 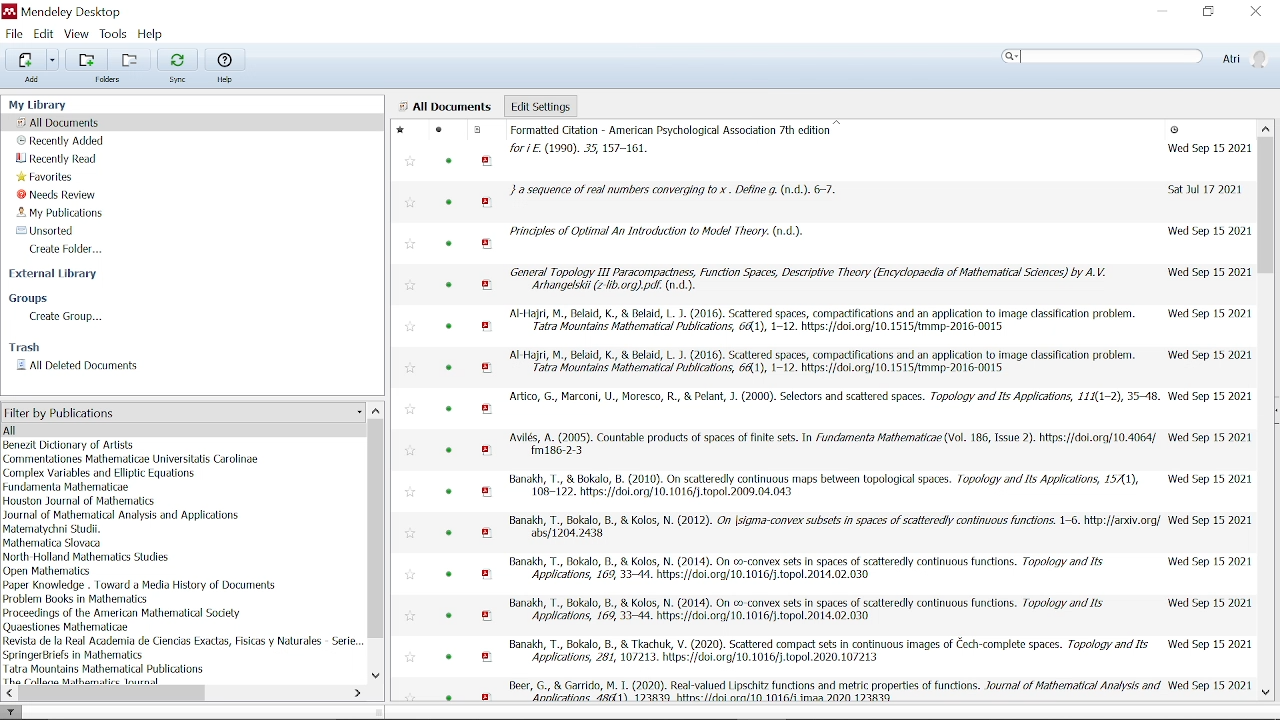 What do you see at coordinates (834, 445) in the screenshot?
I see `citation` at bounding box center [834, 445].